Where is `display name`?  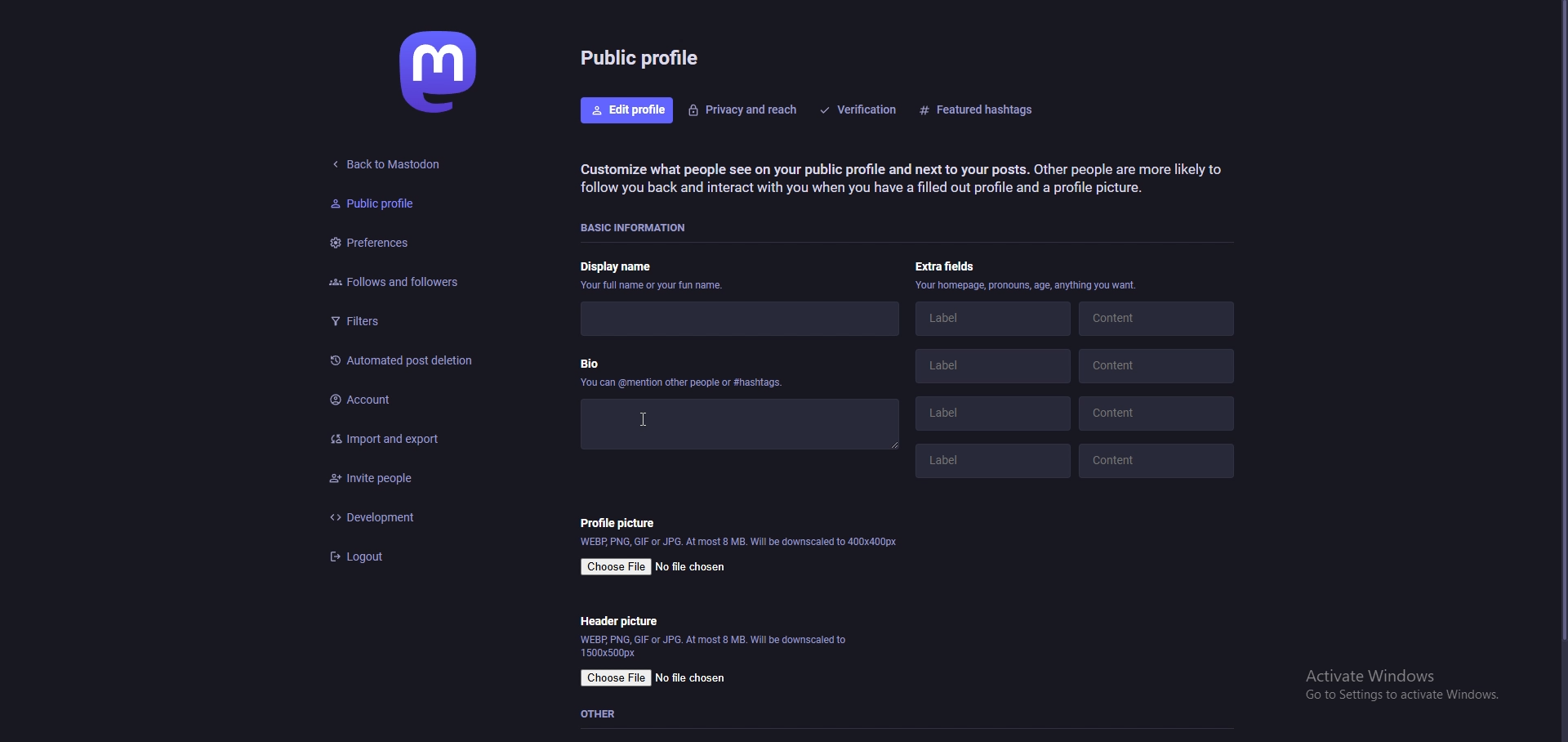 display name is located at coordinates (649, 275).